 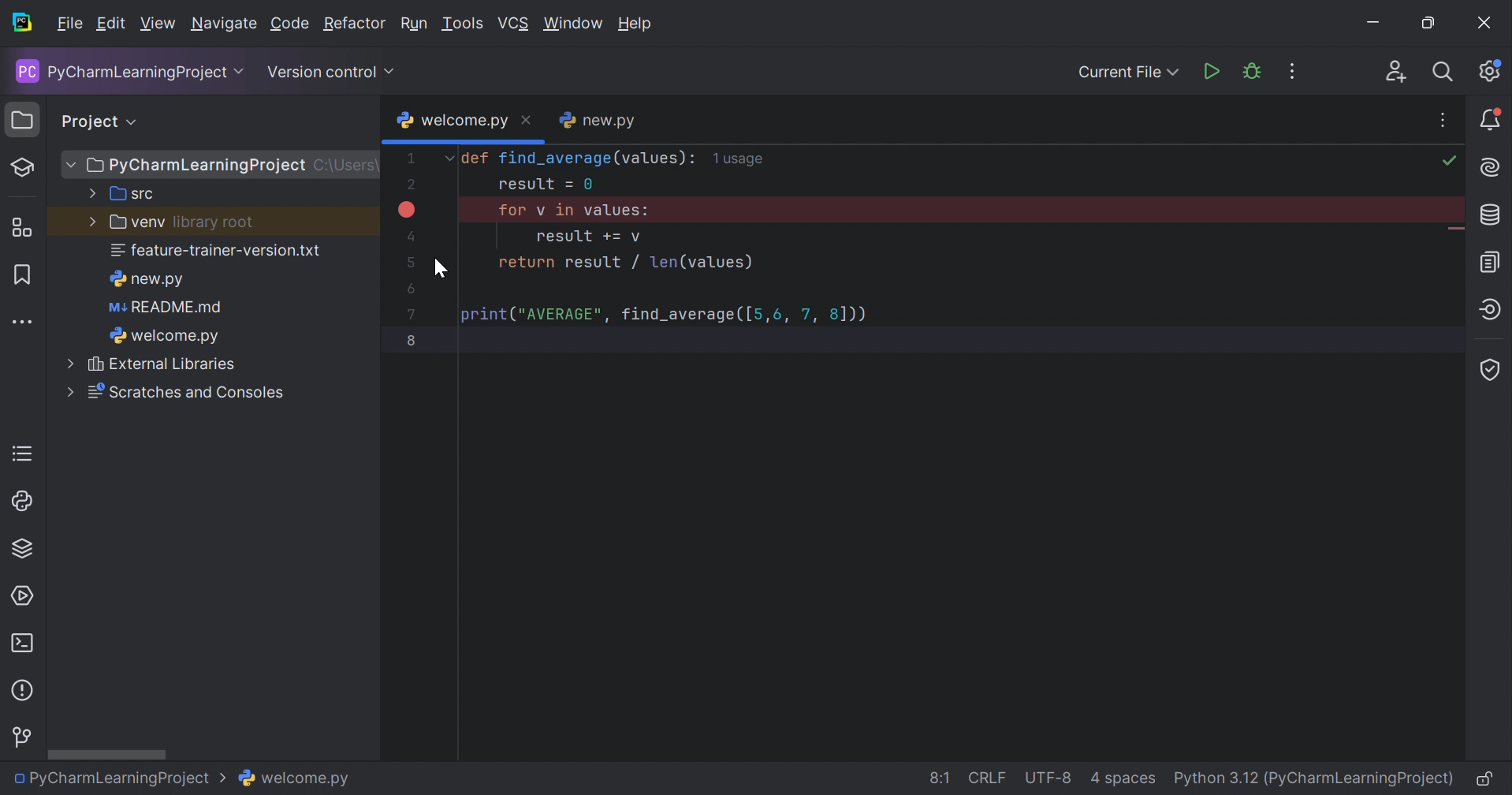 I want to click on Run 'welcome.py', so click(x=1213, y=72).